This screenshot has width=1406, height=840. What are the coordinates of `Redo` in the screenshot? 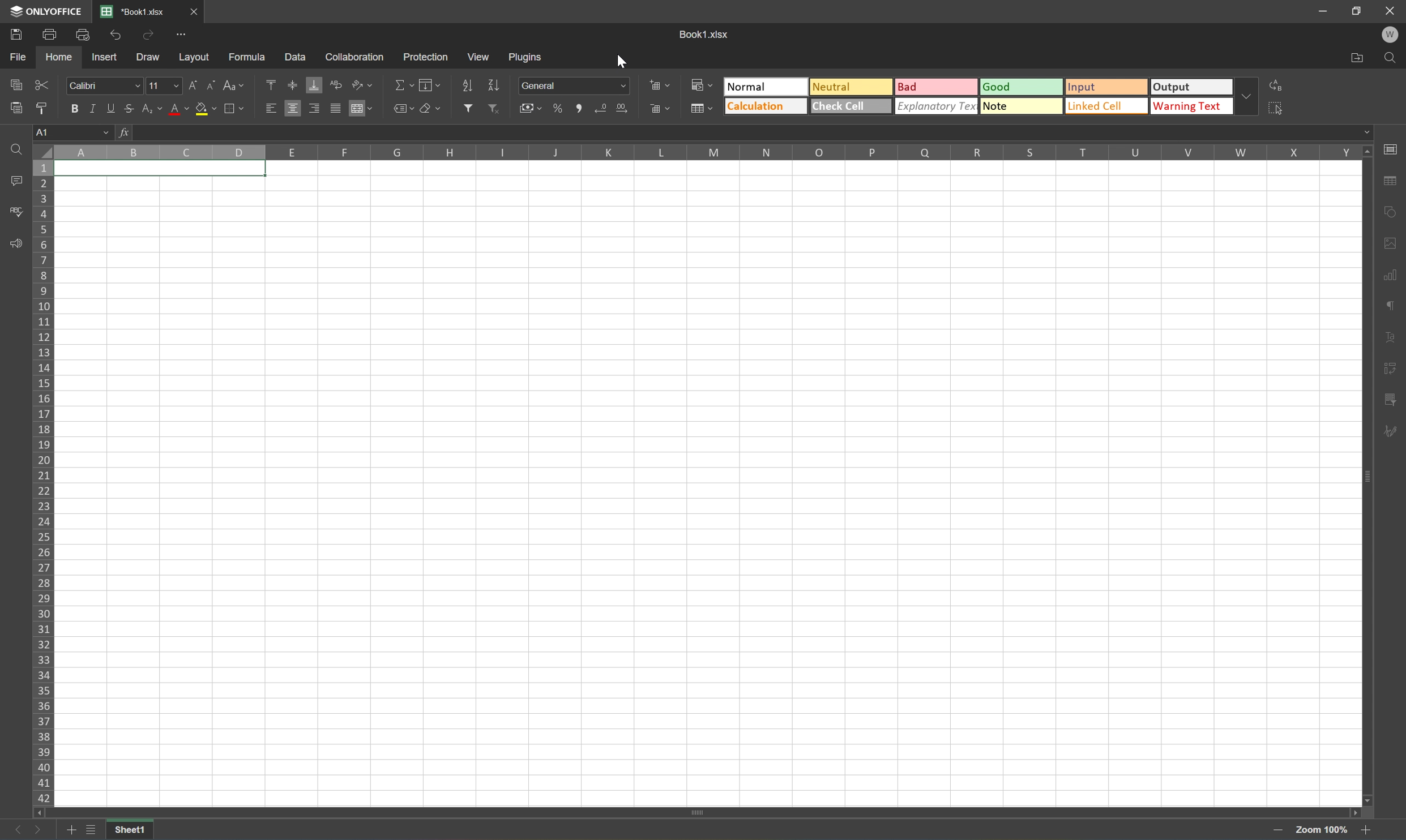 It's located at (149, 37).